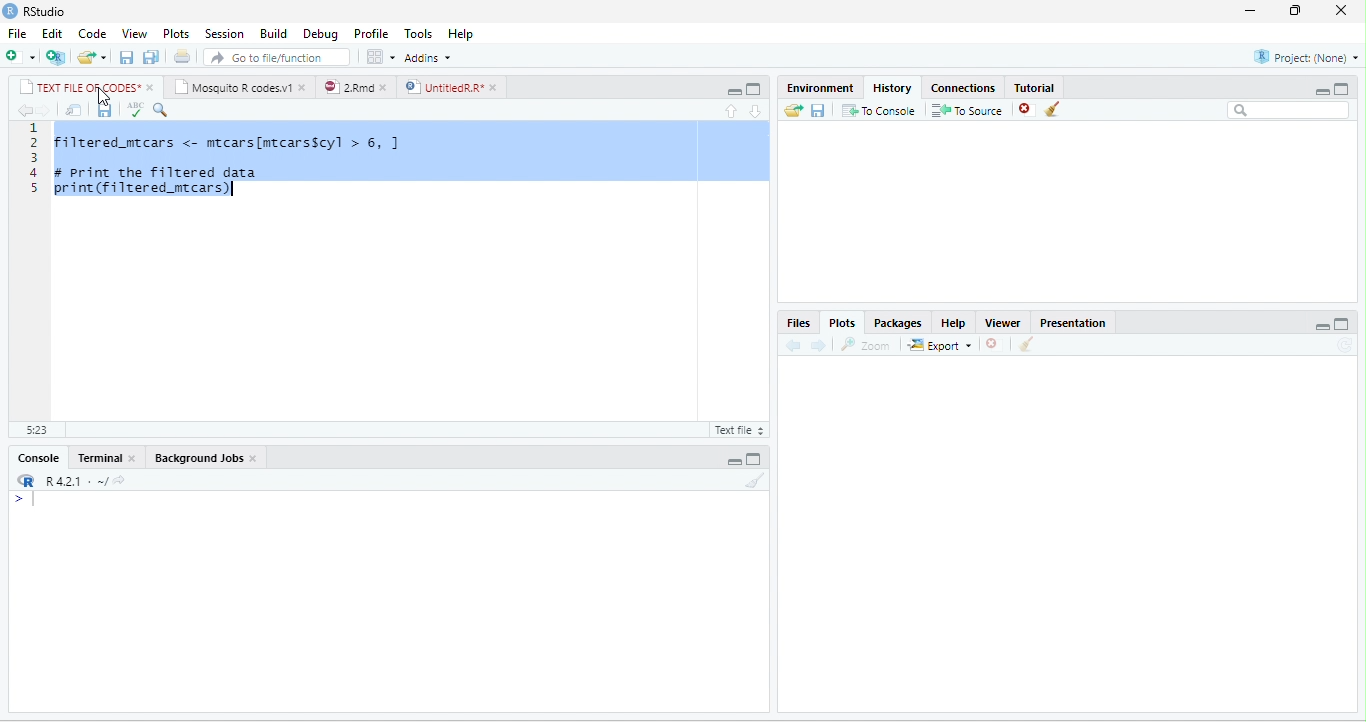  What do you see at coordinates (820, 88) in the screenshot?
I see `Environment` at bounding box center [820, 88].